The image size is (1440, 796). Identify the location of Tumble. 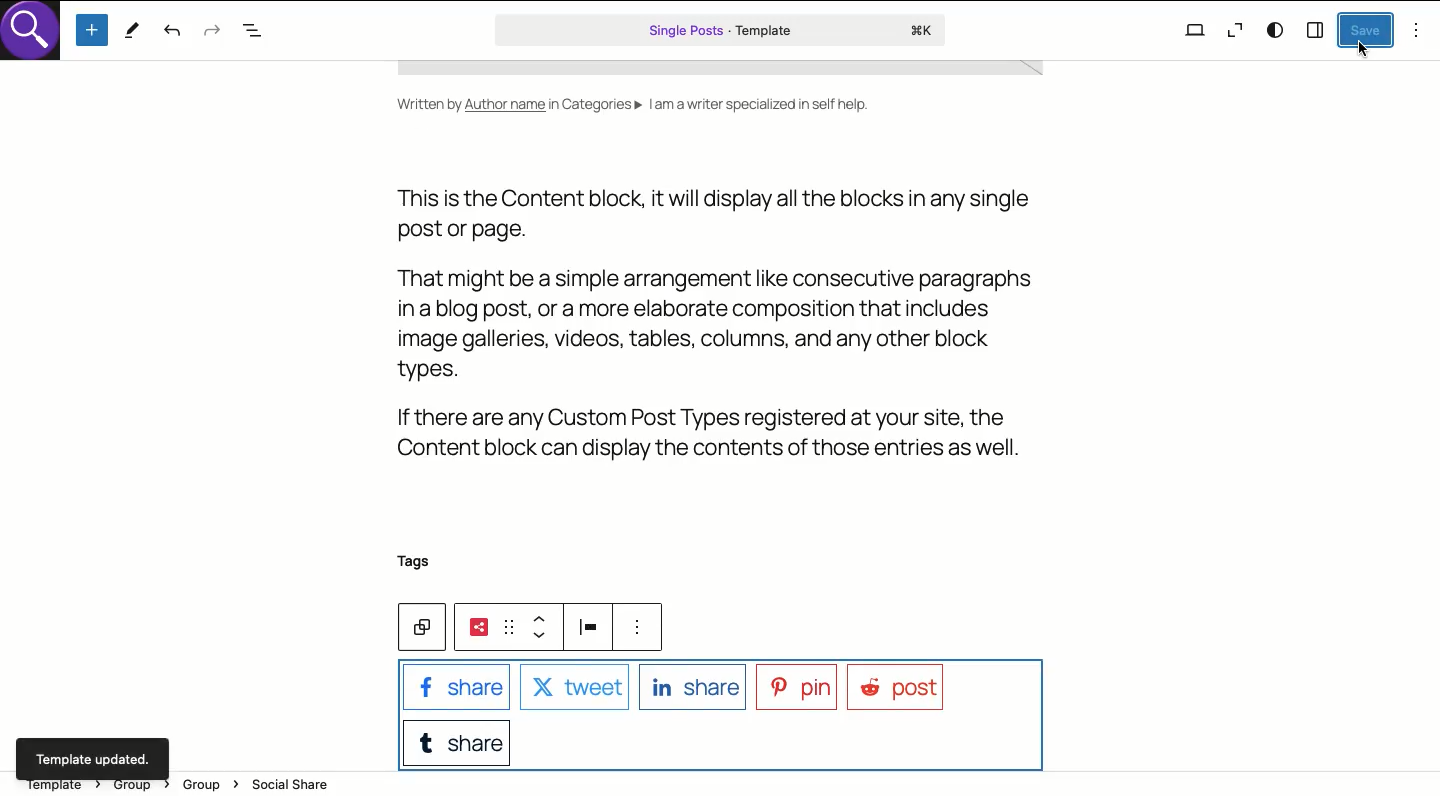
(458, 743).